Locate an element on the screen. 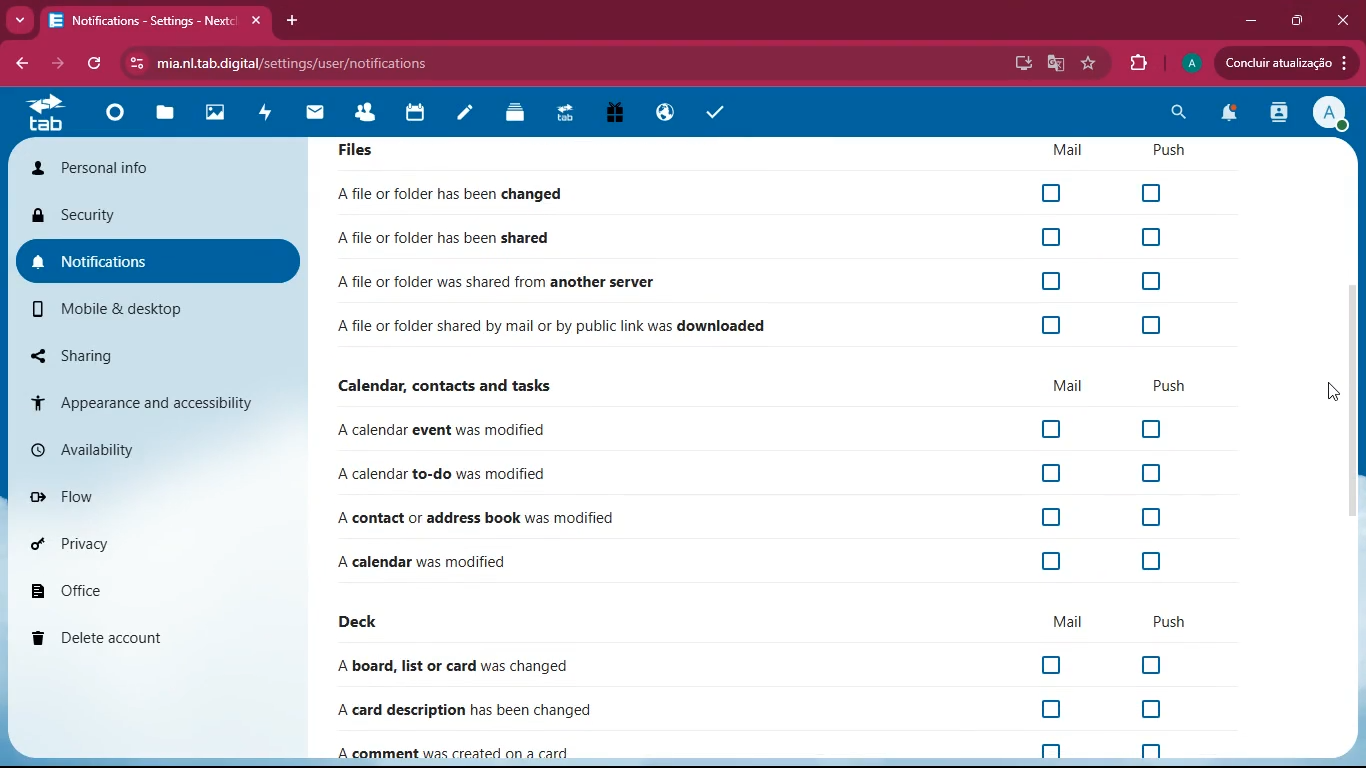 Image resolution: width=1366 pixels, height=768 pixels. Checkbox is located at coordinates (1155, 279).